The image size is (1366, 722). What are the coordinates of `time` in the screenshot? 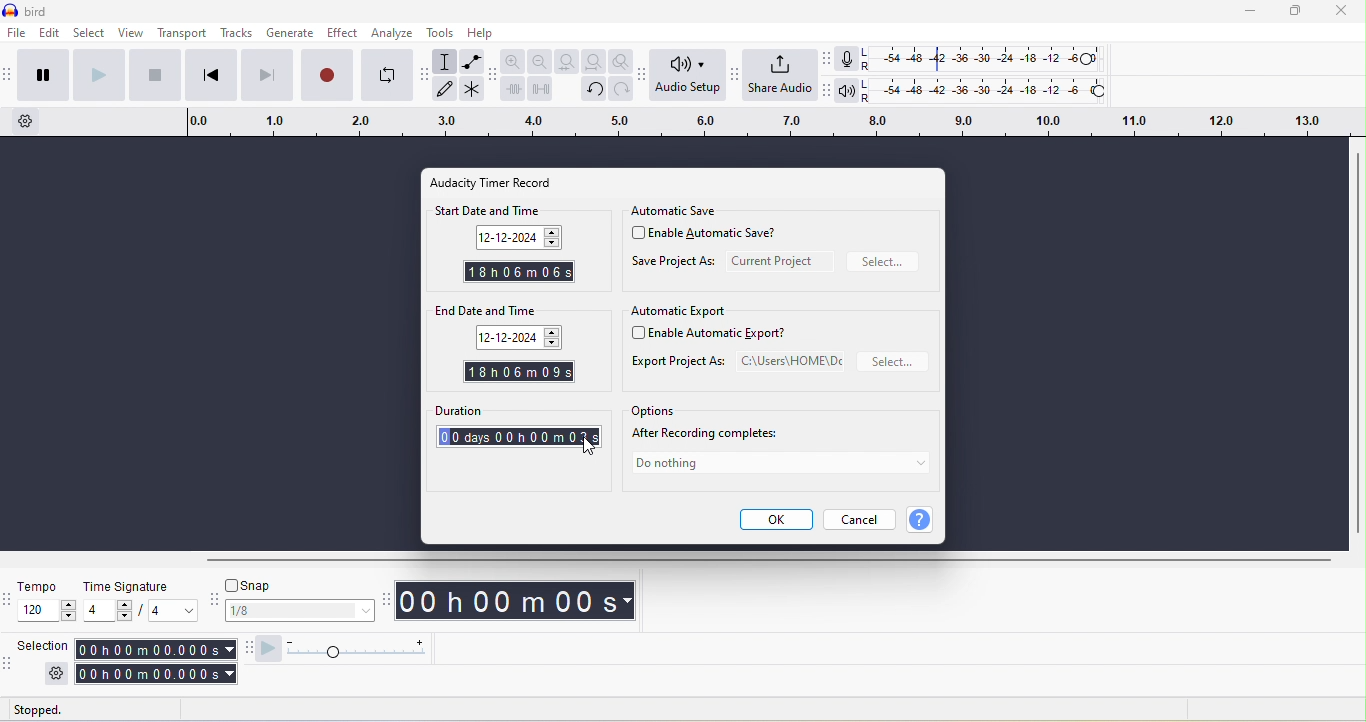 It's located at (520, 600).